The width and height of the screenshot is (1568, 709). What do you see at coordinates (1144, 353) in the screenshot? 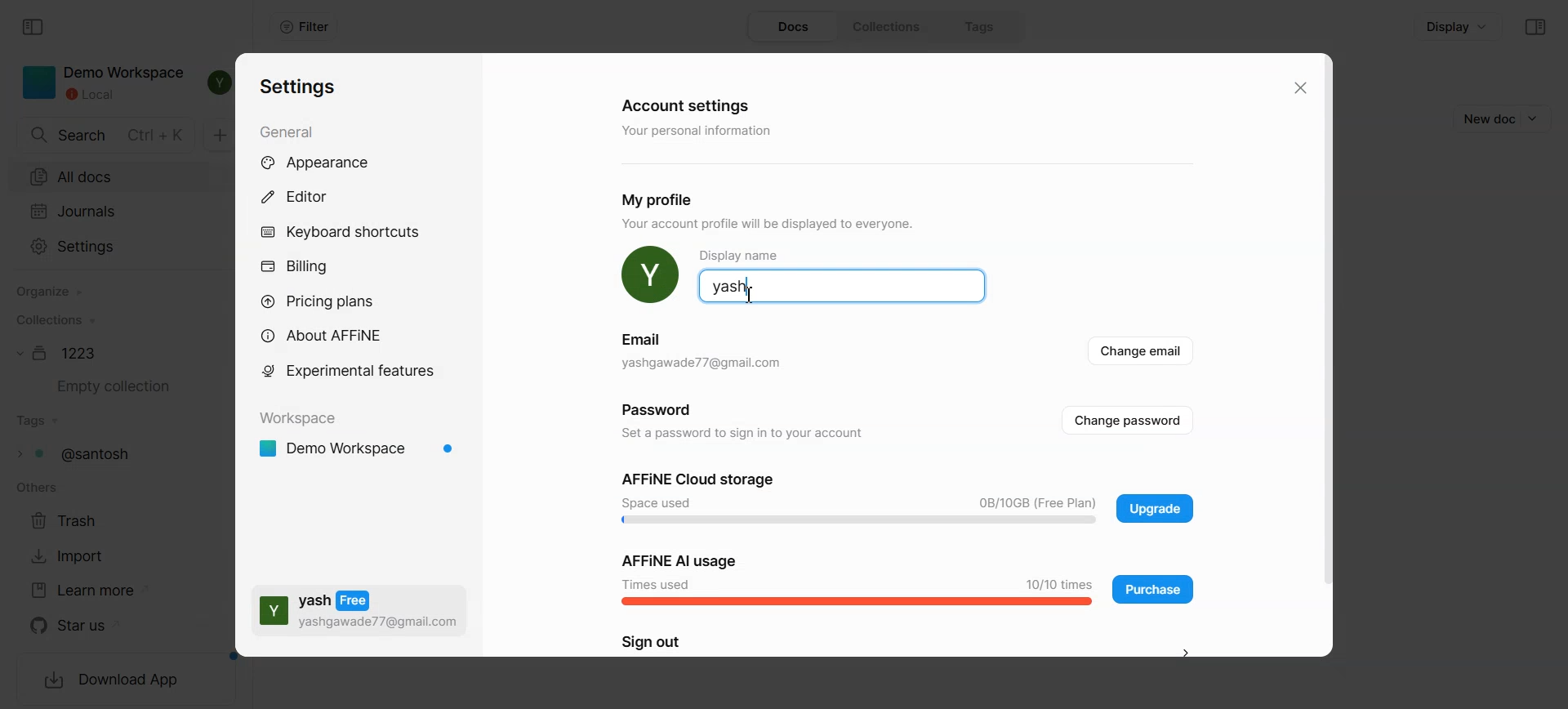
I see `Change email` at bounding box center [1144, 353].